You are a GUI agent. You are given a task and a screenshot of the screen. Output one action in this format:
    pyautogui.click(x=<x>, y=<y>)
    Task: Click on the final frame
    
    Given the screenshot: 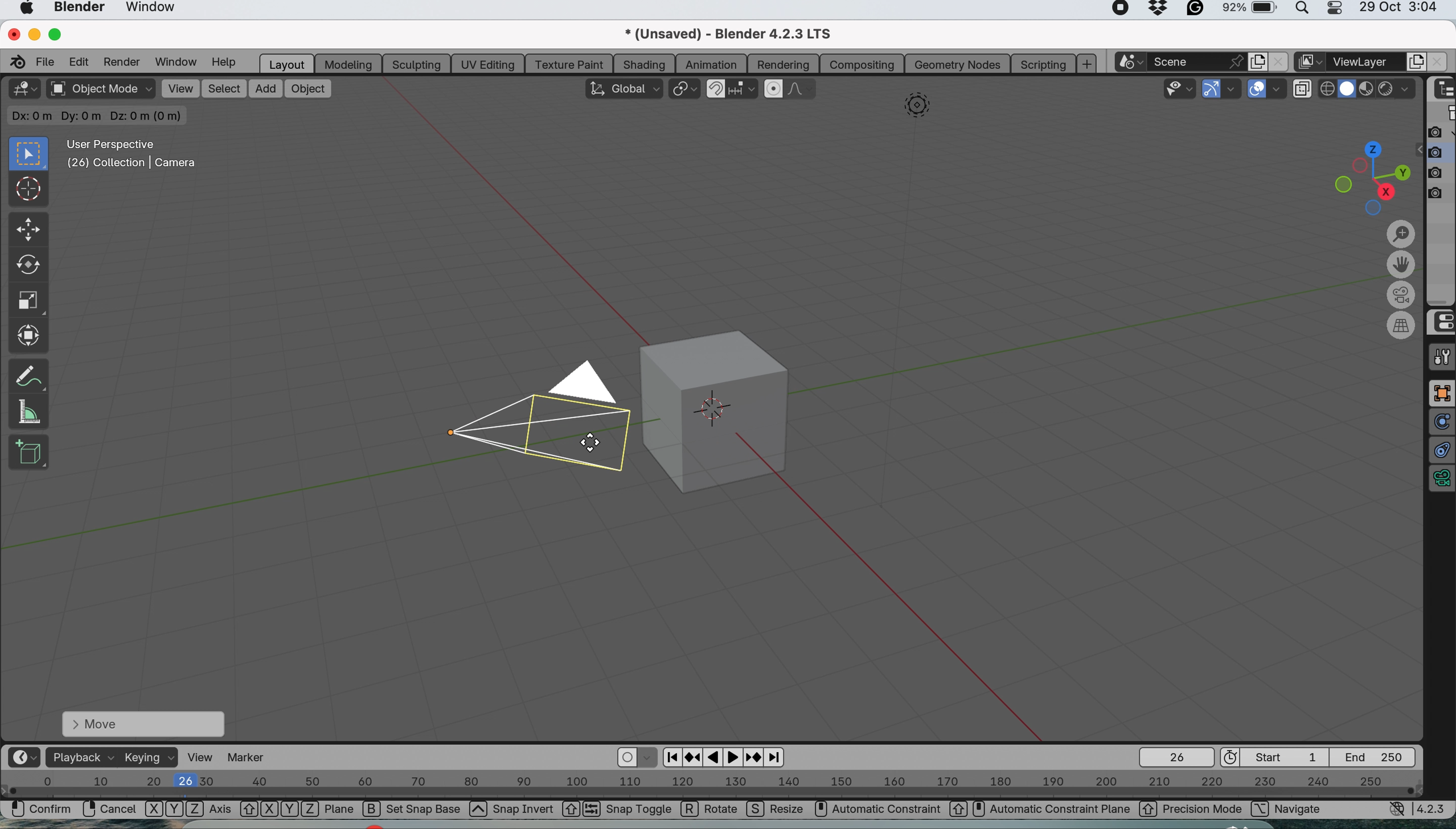 What is the action you would take?
    pyautogui.click(x=1379, y=756)
    